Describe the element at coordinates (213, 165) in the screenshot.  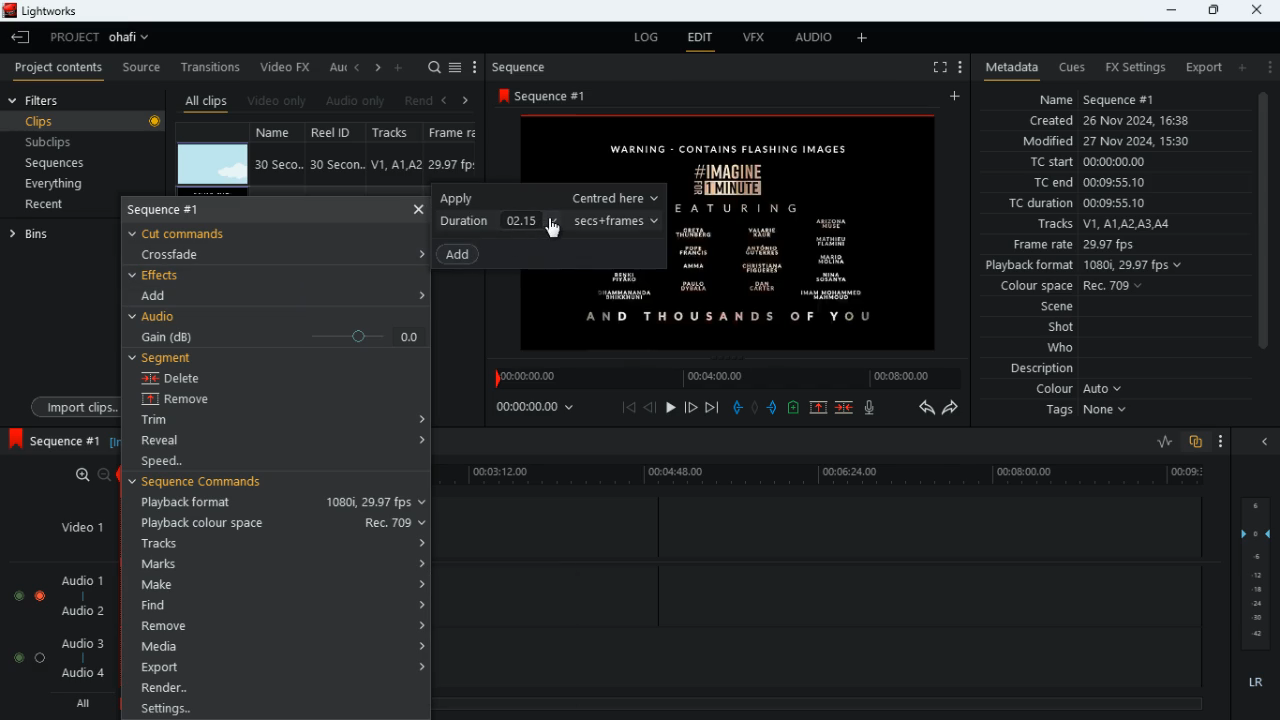
I see `image` at that location.